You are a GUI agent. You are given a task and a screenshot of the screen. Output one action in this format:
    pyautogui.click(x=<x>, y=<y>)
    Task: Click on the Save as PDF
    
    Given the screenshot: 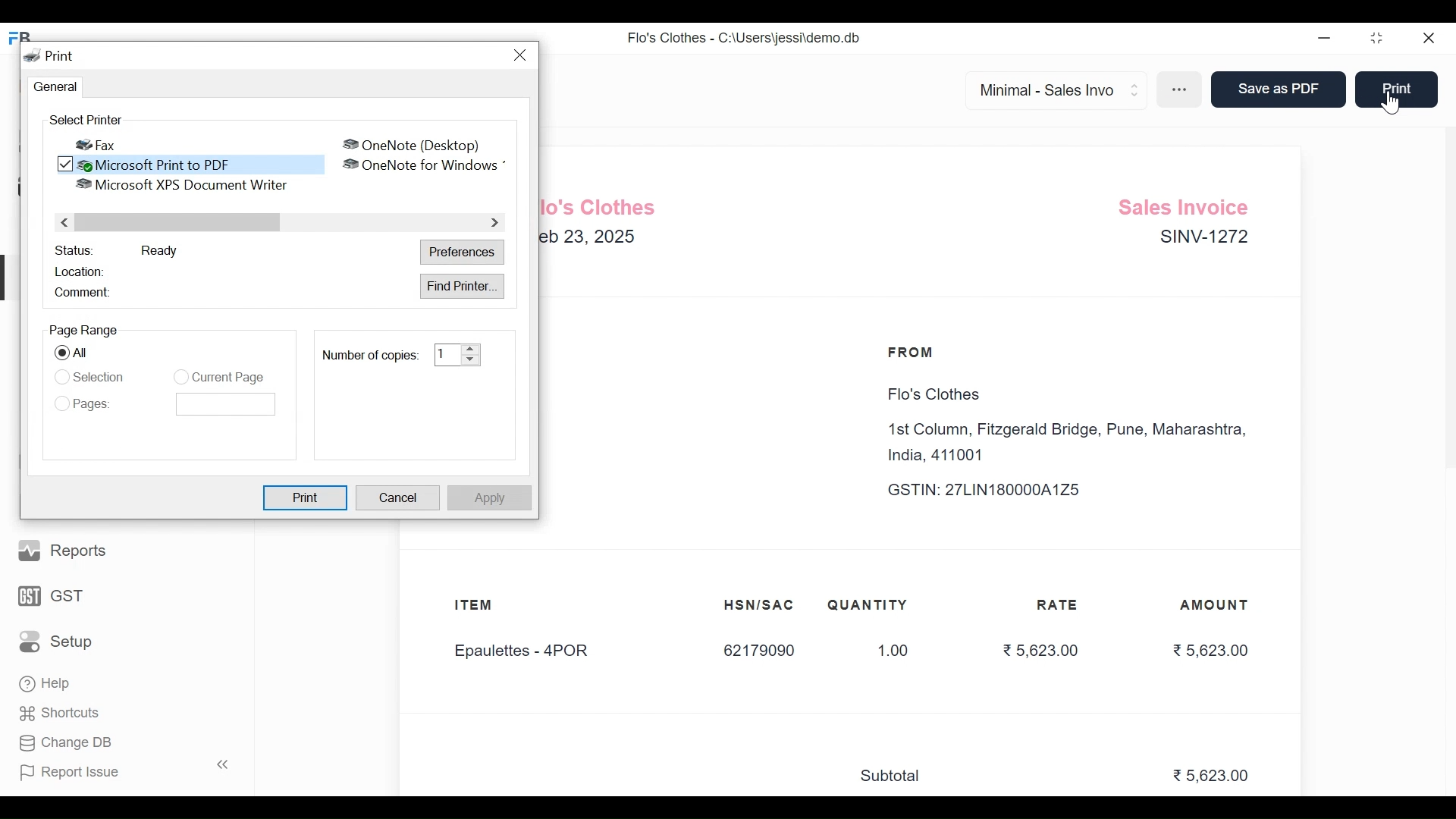 What is the action you would take?
    pyautogui.click(x=1276, y=90)
    